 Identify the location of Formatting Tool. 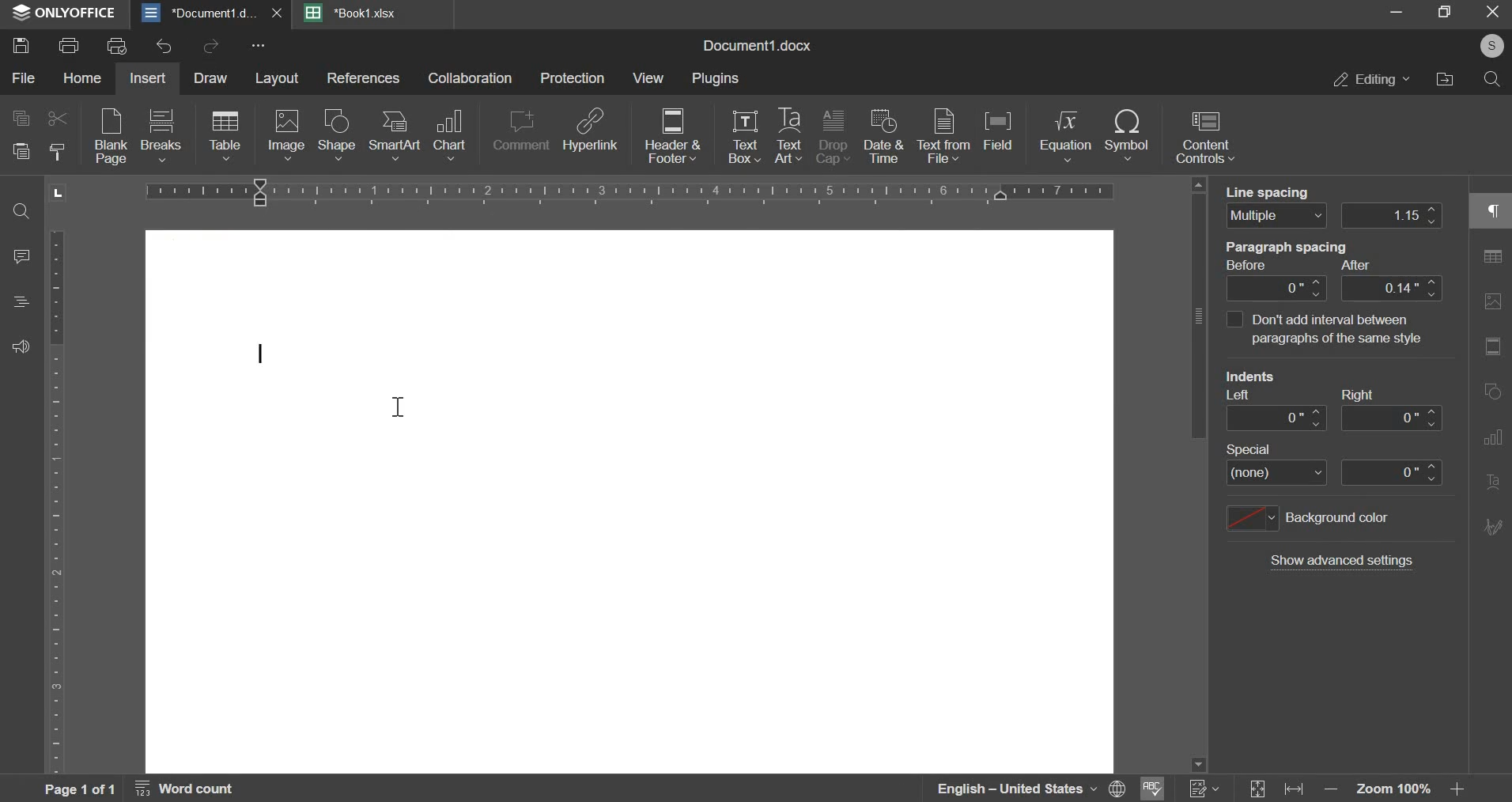
(1492, 481).